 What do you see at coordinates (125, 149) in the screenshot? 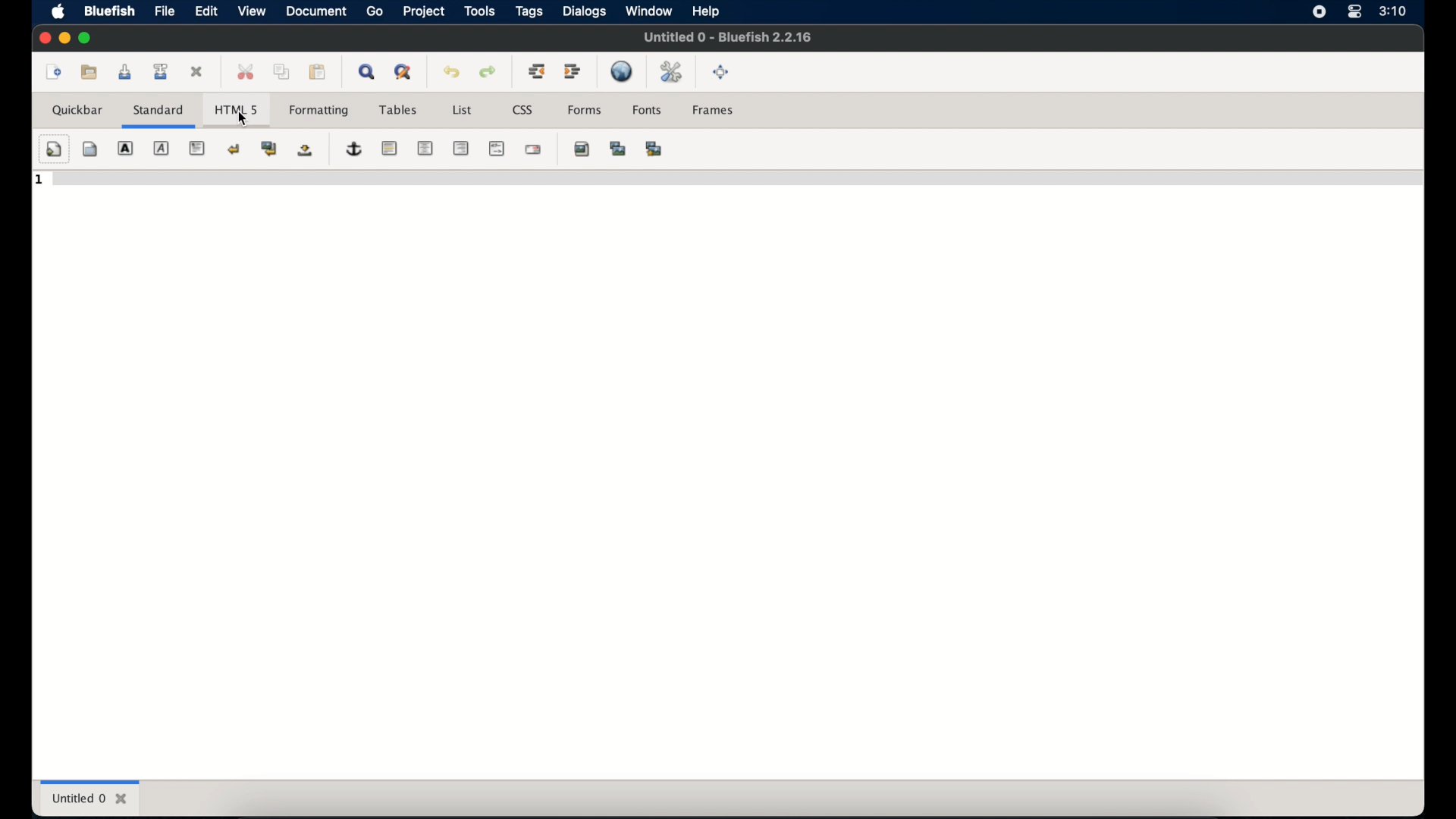
I see `strong` at bounding box center [125, 149].